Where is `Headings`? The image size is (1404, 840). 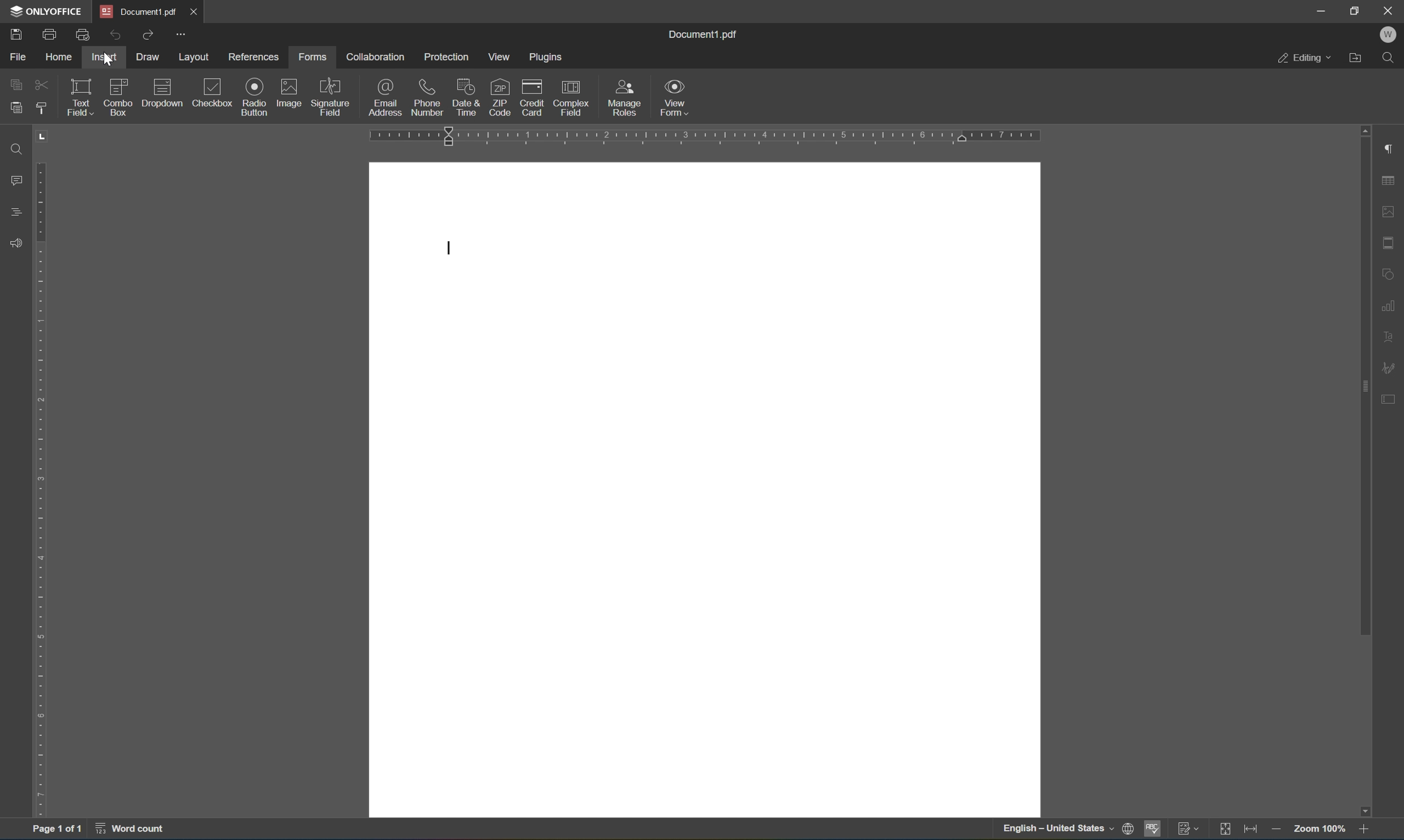
Headings is located at coordinates (17, 212).